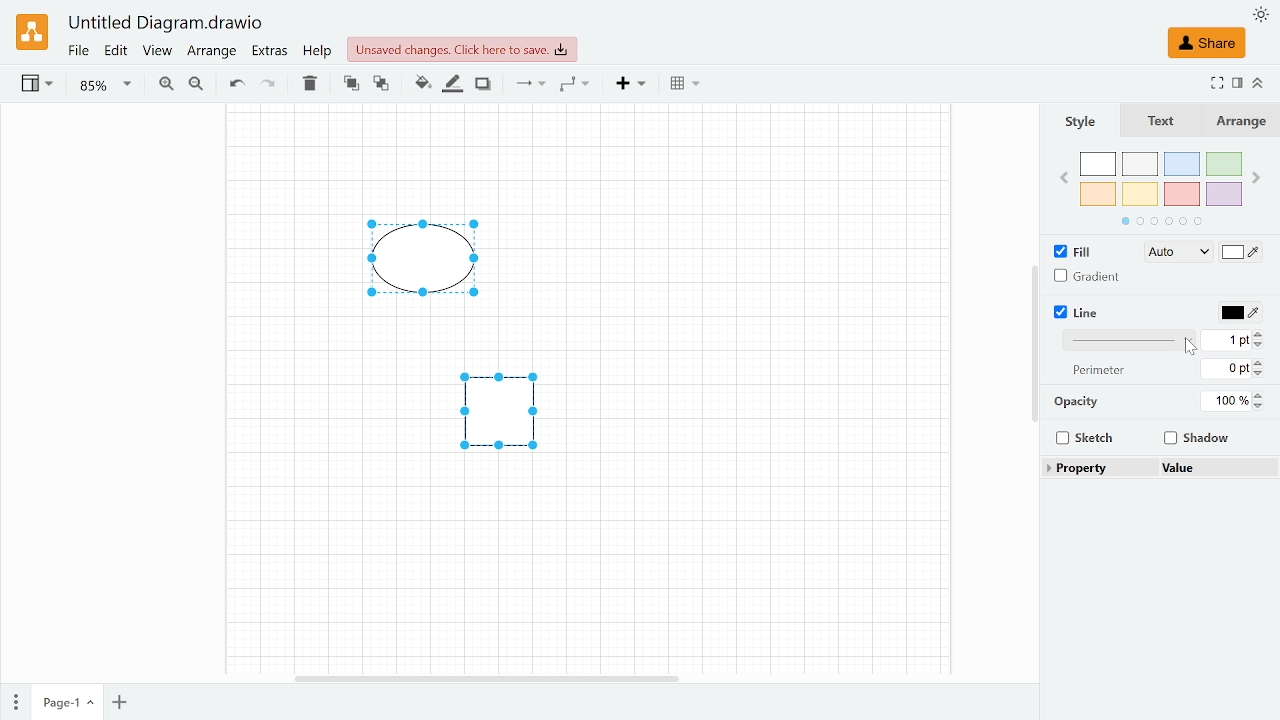 Image resolution: width=1280 pixels, height=720 pixels. Describe the element at coordinates (39, 86) in the screenshot. I see `View` at that location.